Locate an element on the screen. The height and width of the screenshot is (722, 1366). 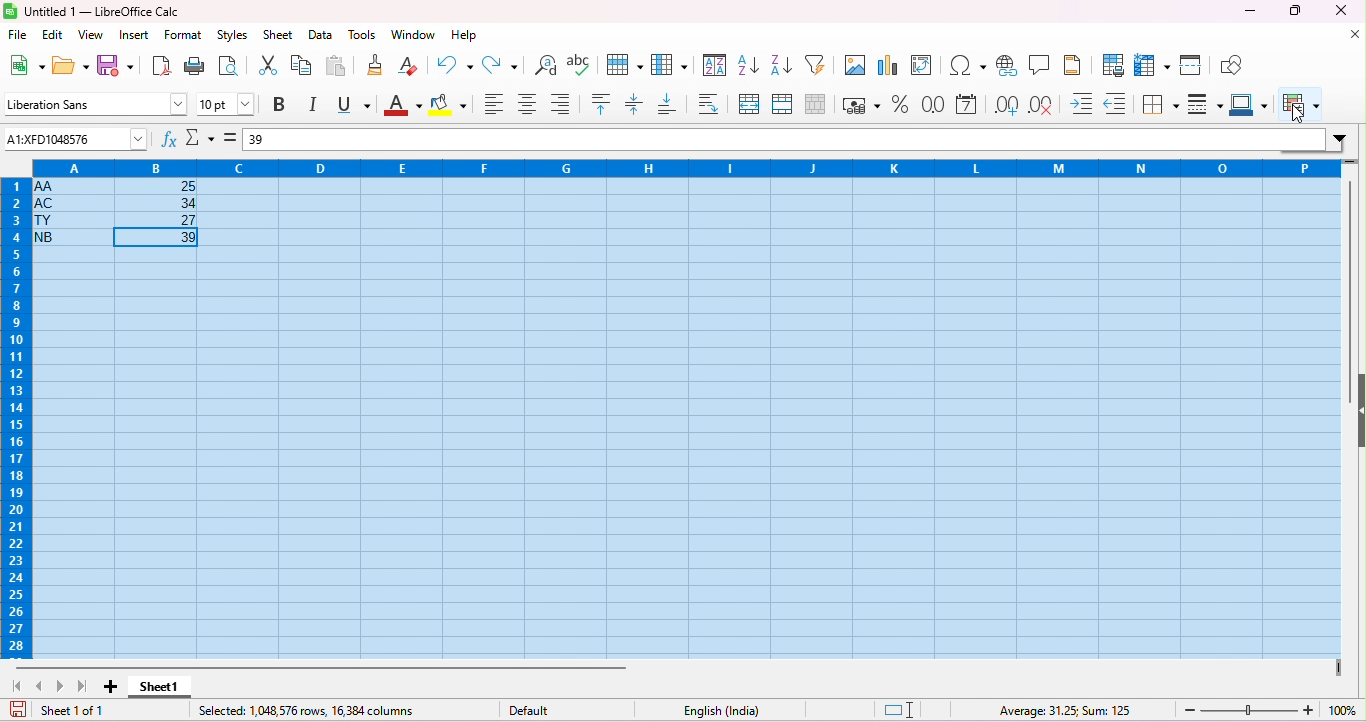
close is located at coordinates (1354, 35).